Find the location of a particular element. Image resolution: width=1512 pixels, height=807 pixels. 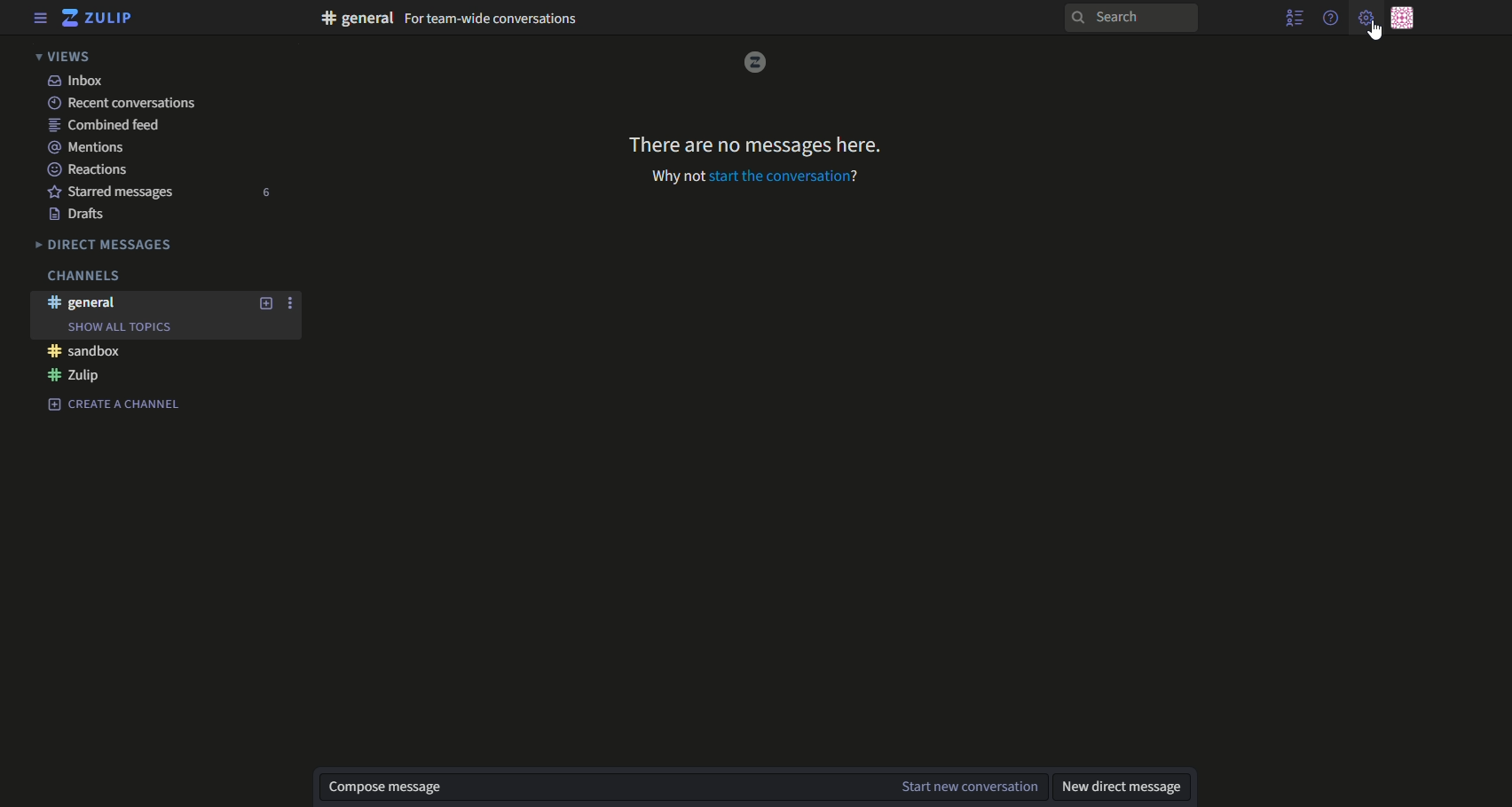

start new conversation is located at coordinates (972, 787).